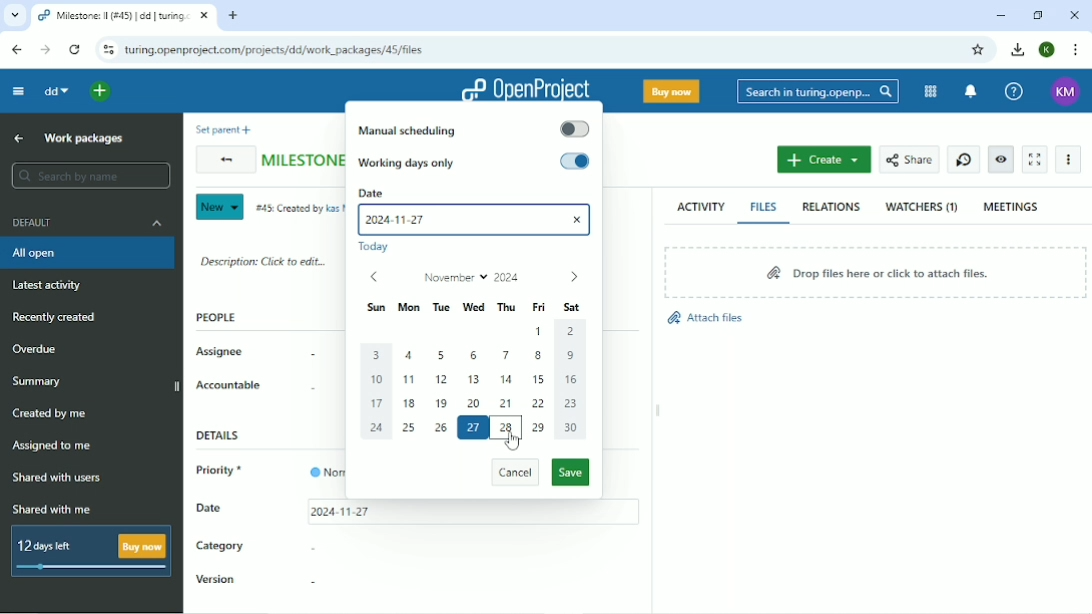 The width and height of the screenshot is (1092, 614). I want to click on Today, so click(378, 248).